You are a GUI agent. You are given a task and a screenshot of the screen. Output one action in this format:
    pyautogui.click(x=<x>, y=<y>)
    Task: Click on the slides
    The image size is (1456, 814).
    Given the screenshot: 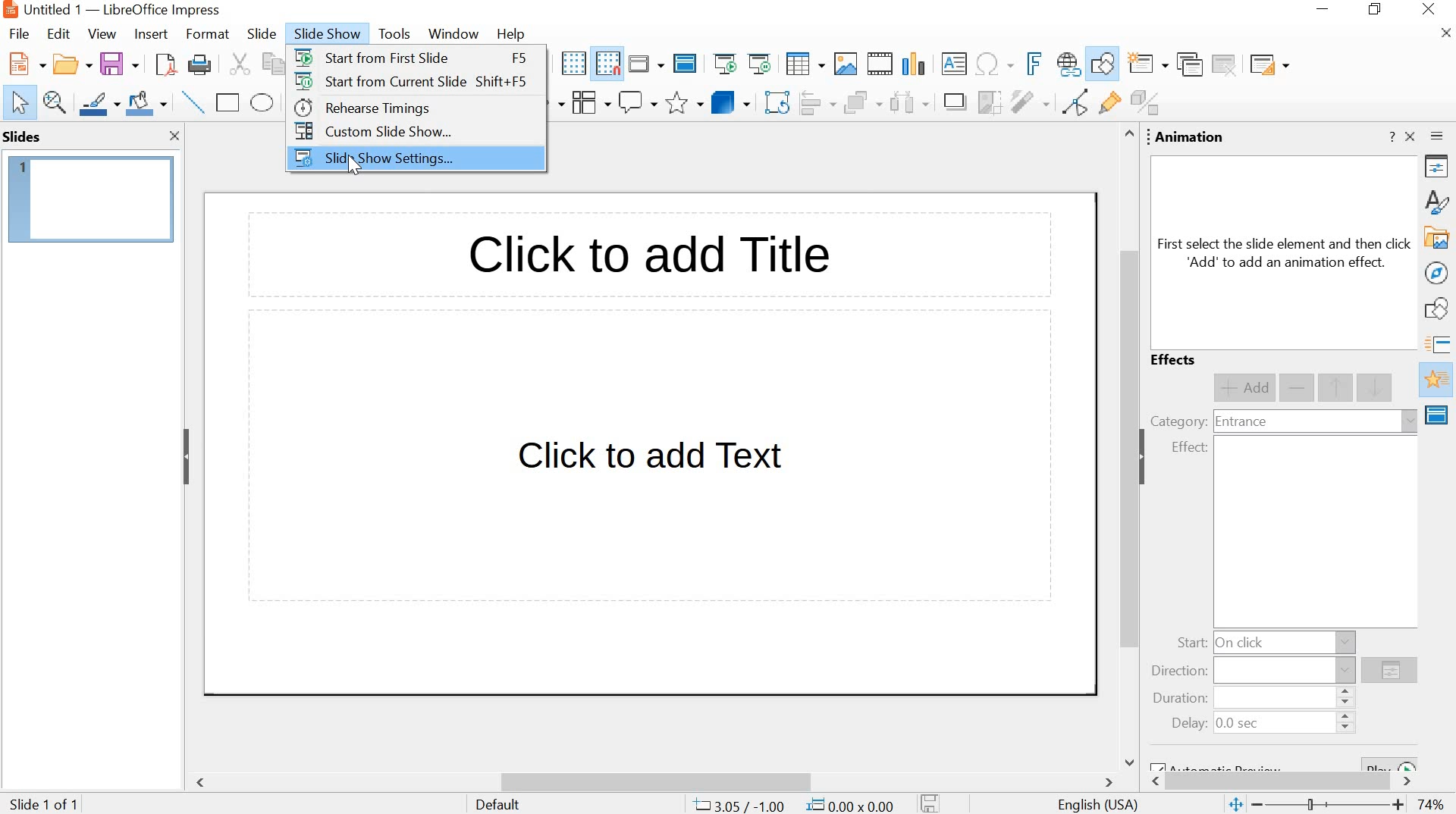 What is the action you would take?
    pyautogui.click(x=25, y=136)
    